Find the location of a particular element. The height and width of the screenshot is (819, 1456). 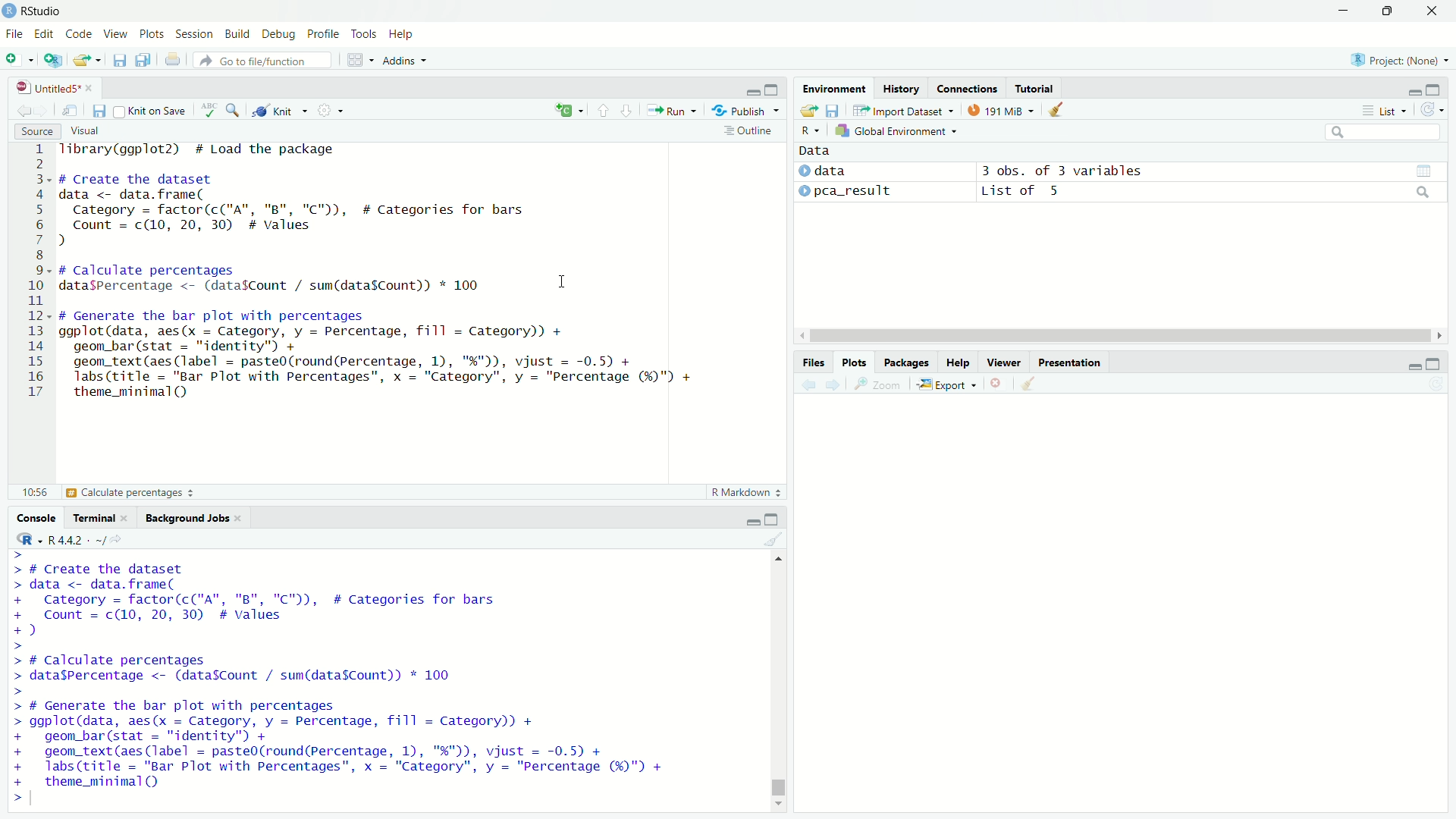

knit on save is located at coordinates (152, 111).